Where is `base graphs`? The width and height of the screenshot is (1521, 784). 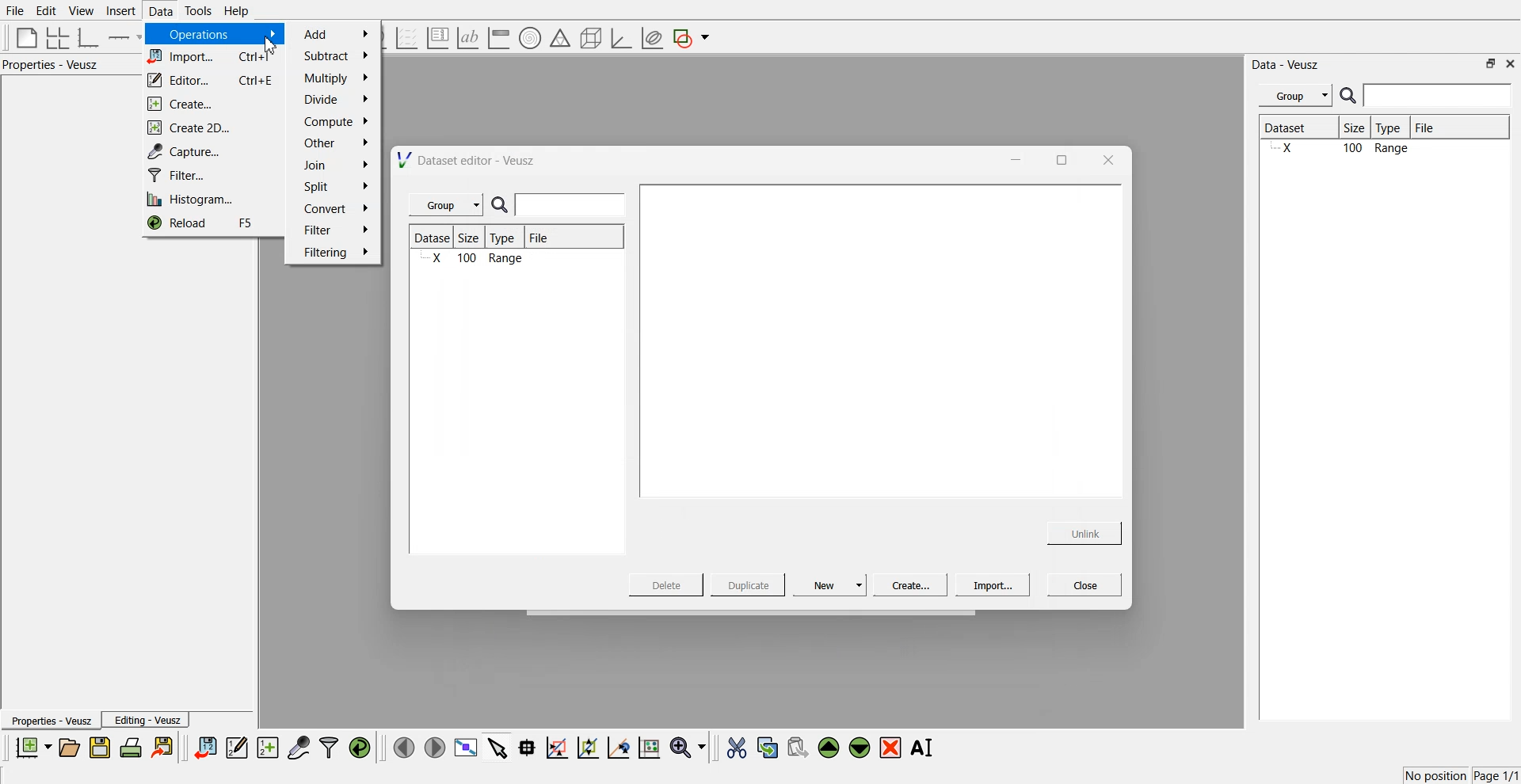
base graphs is located at coordinates (90, 37).